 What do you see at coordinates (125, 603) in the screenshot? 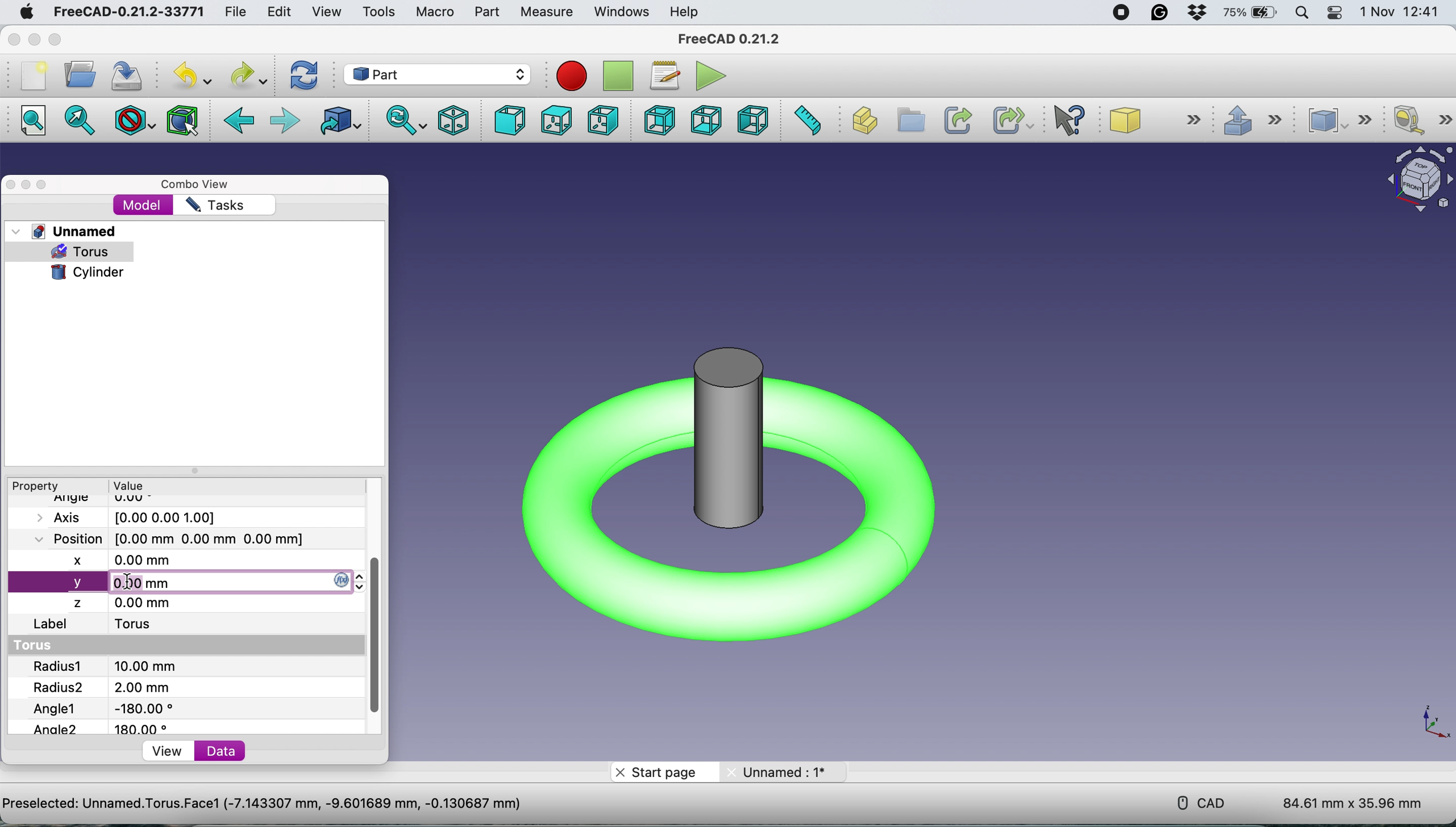
I see `z axis` at bounding box center [125, 603].